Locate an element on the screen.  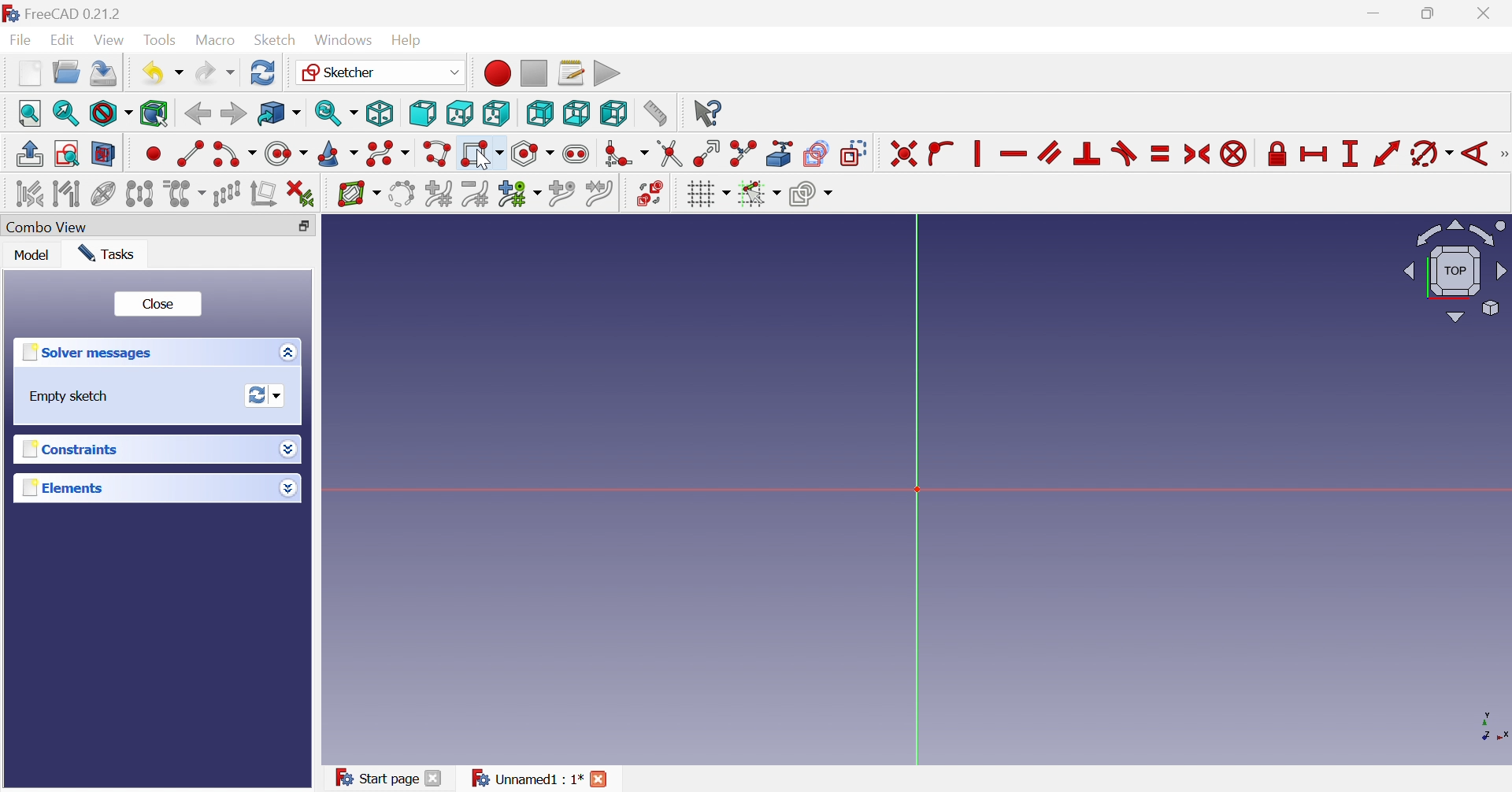
cursor is located at coordinates (484, 161).